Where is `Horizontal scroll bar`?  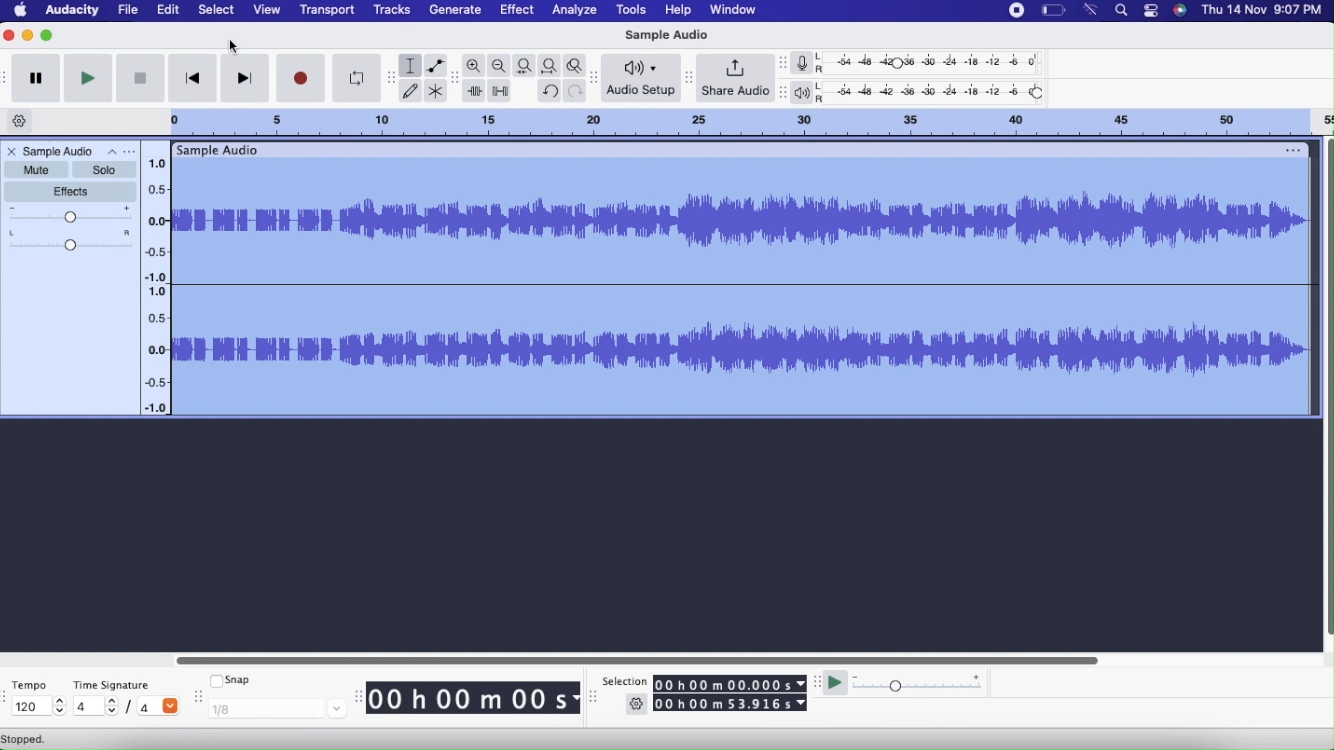
Horizontal scroll bar is located at coordinates (1326, 394).